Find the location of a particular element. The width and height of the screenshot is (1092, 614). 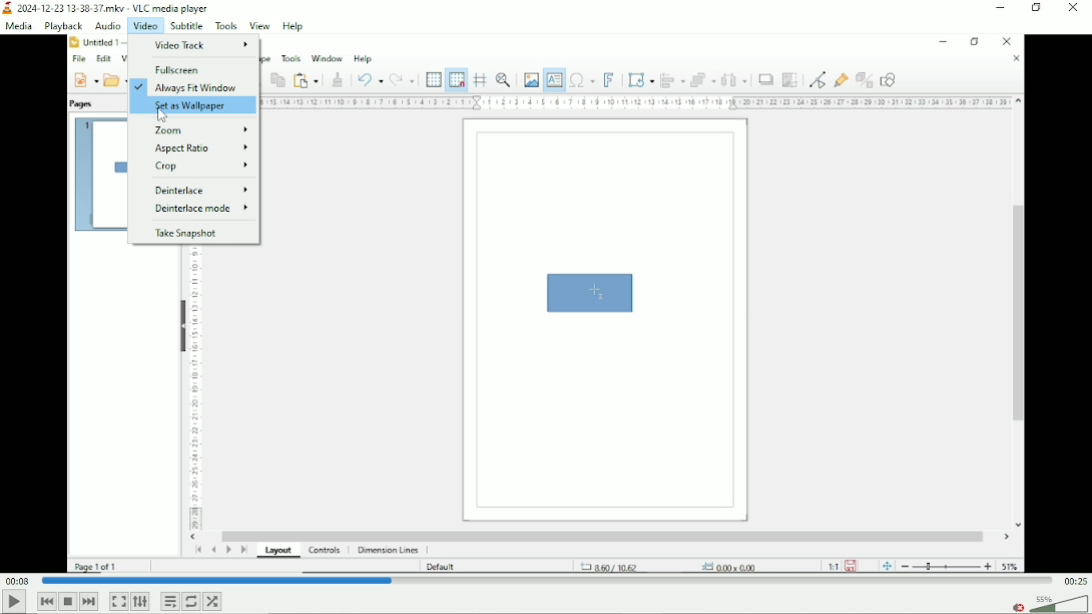

Audio is located at coordinates (108, 26).